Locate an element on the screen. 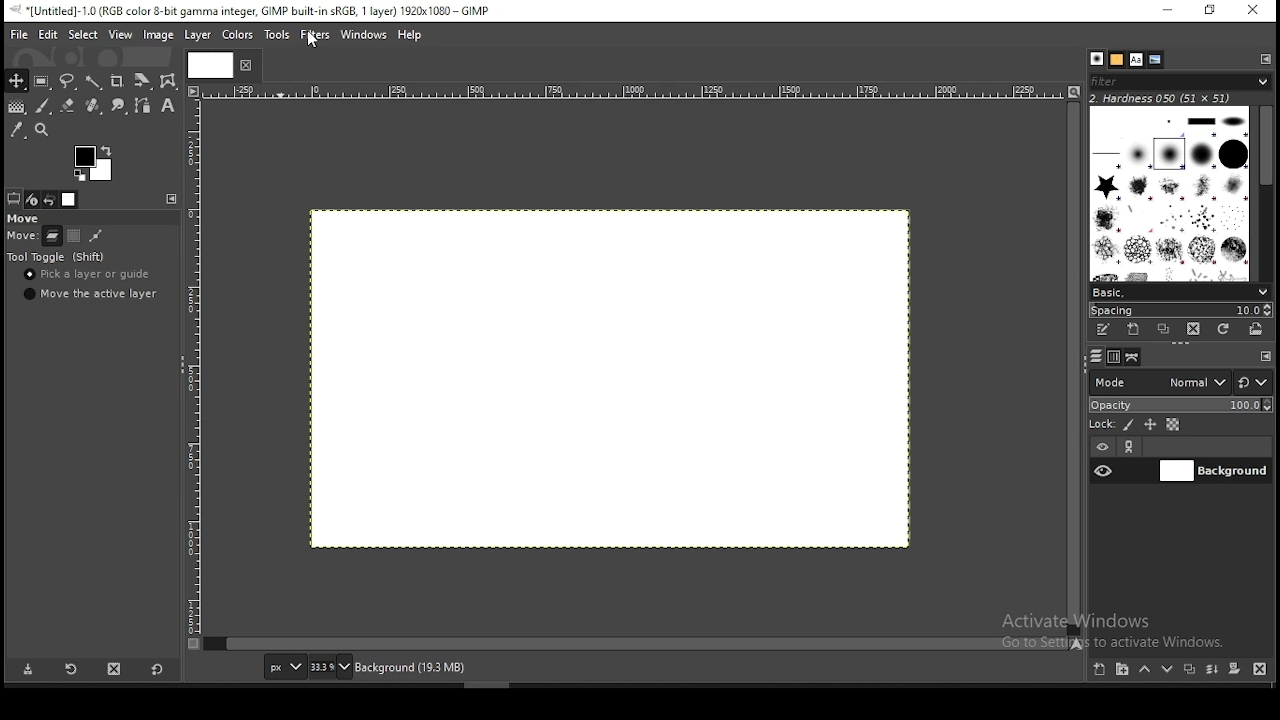 Image resolution: width=1280 pixels, height=720 pixels. create a new brush is located at coordinates (1135, 330).